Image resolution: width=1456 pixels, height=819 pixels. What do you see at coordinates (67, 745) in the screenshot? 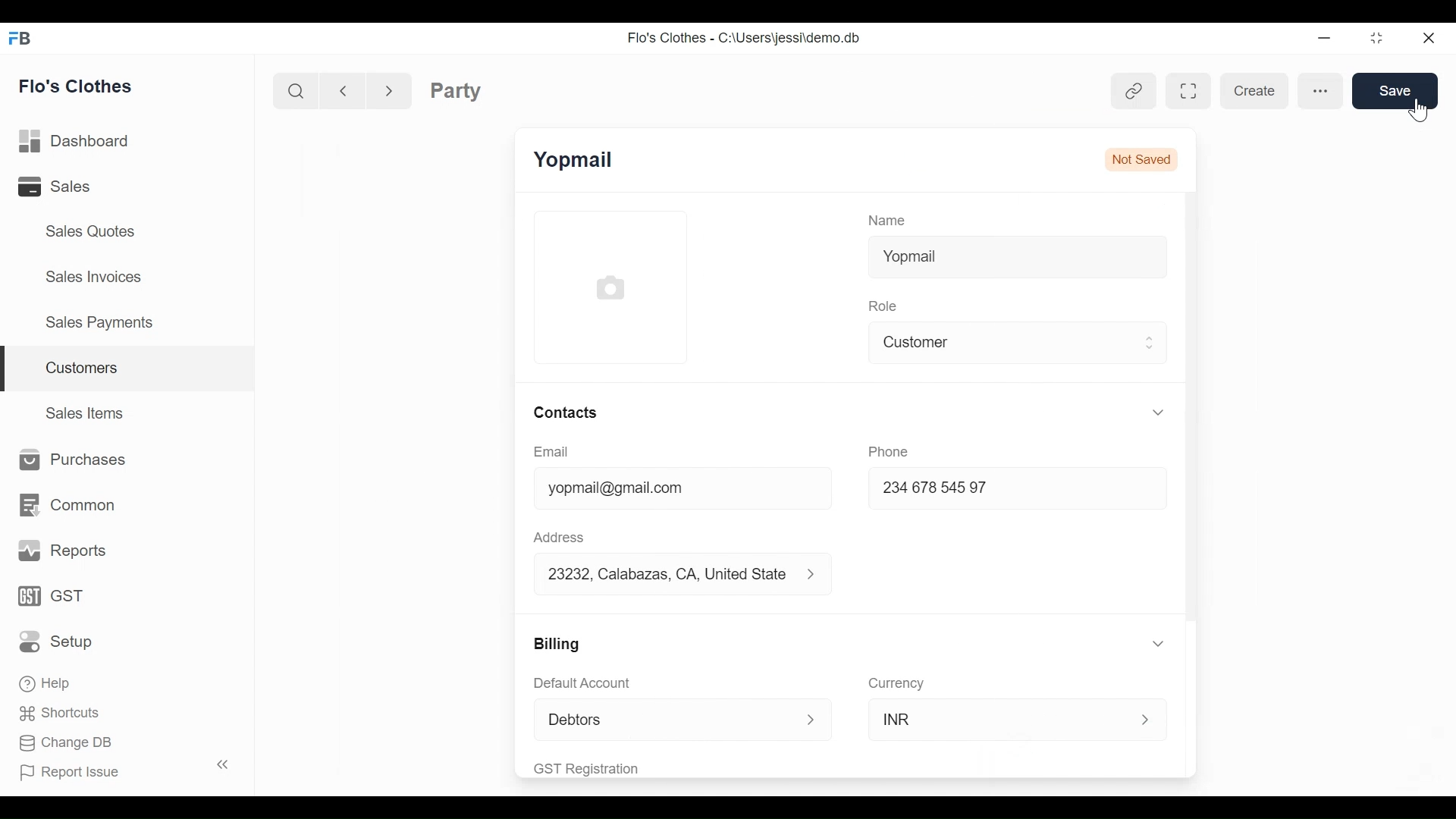
I see `Change DB` at bounding box center [67, 745].